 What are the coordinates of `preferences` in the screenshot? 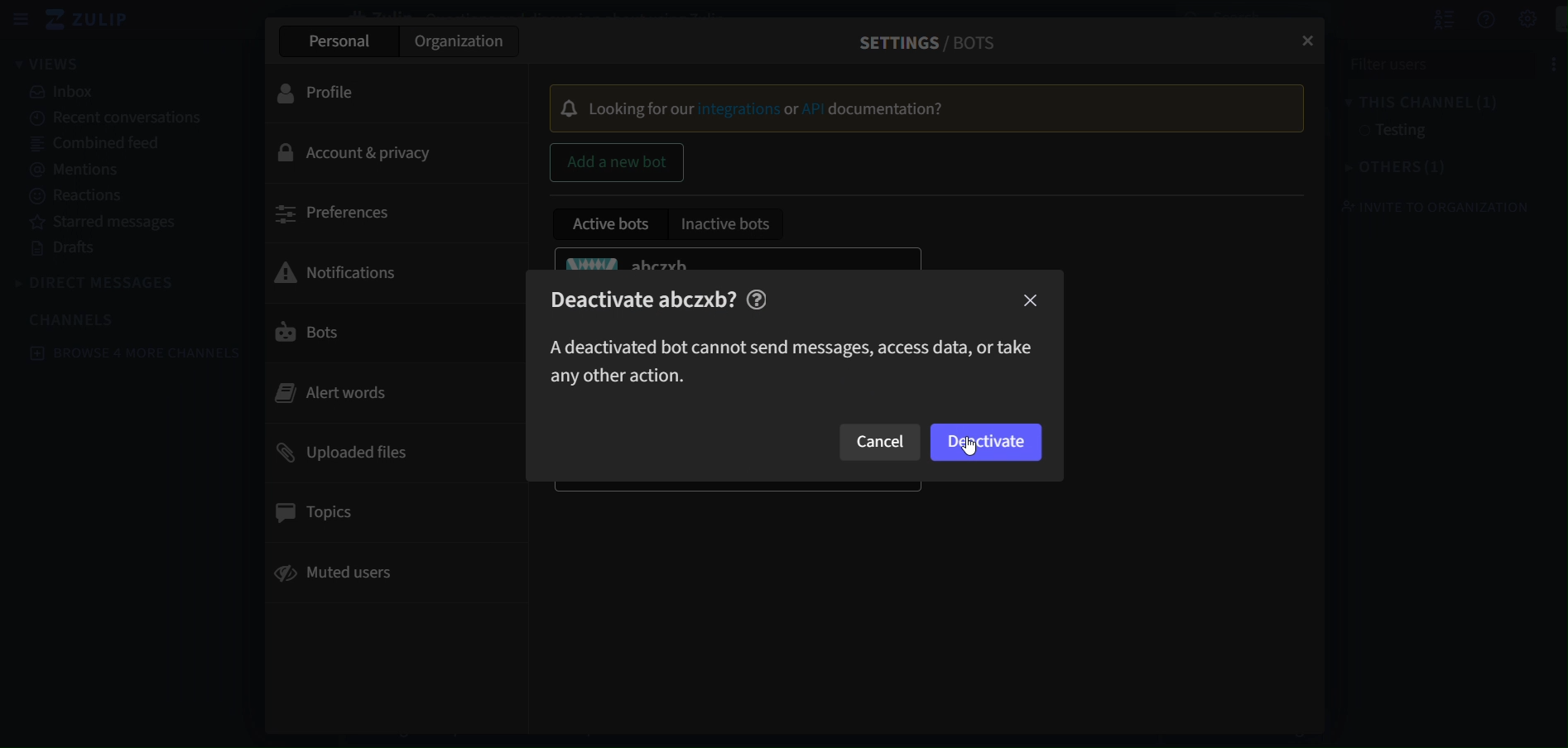 It's located at (341, 216).